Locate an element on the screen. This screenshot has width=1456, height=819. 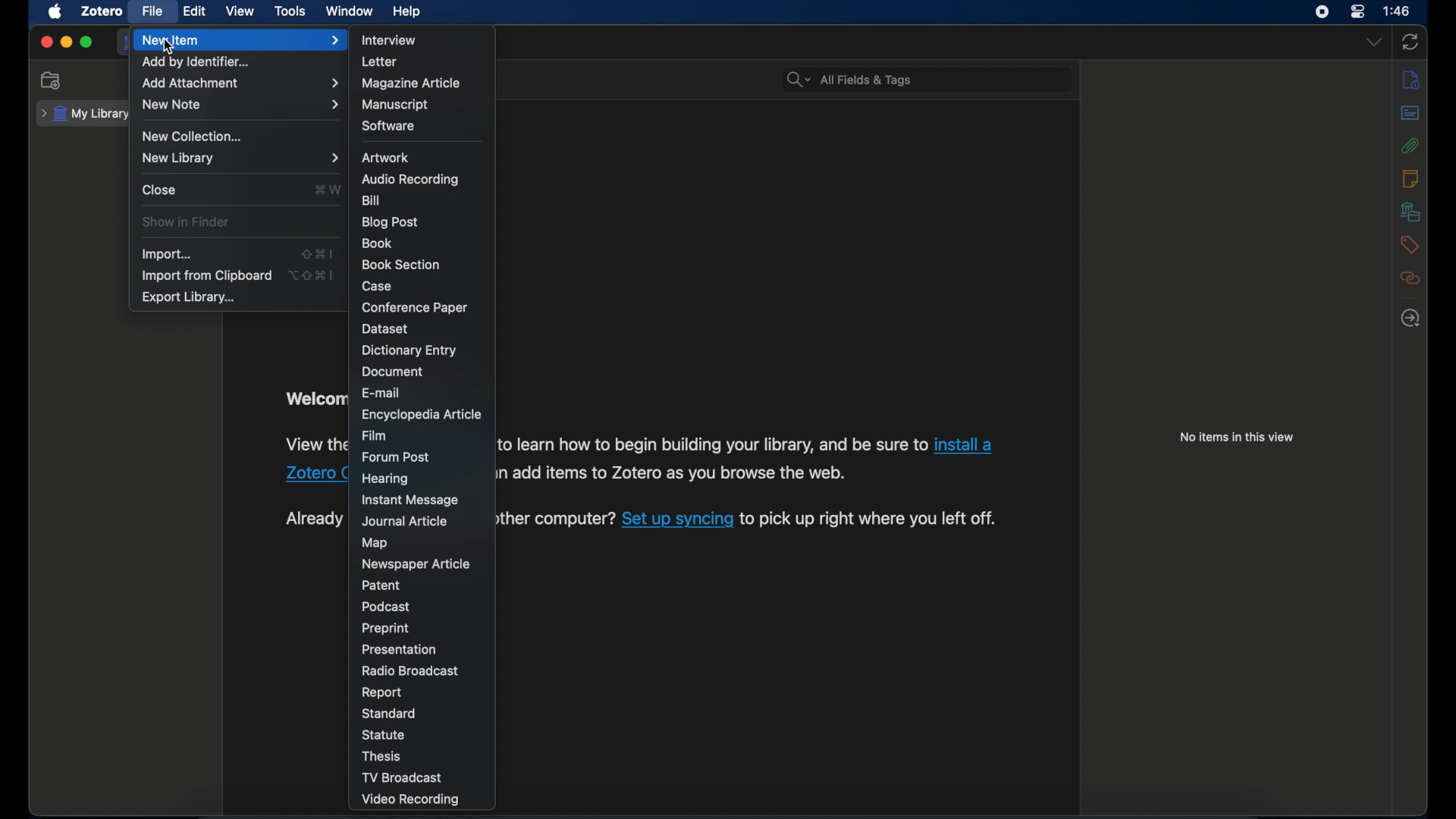
report is located at coordinates (383, 693).